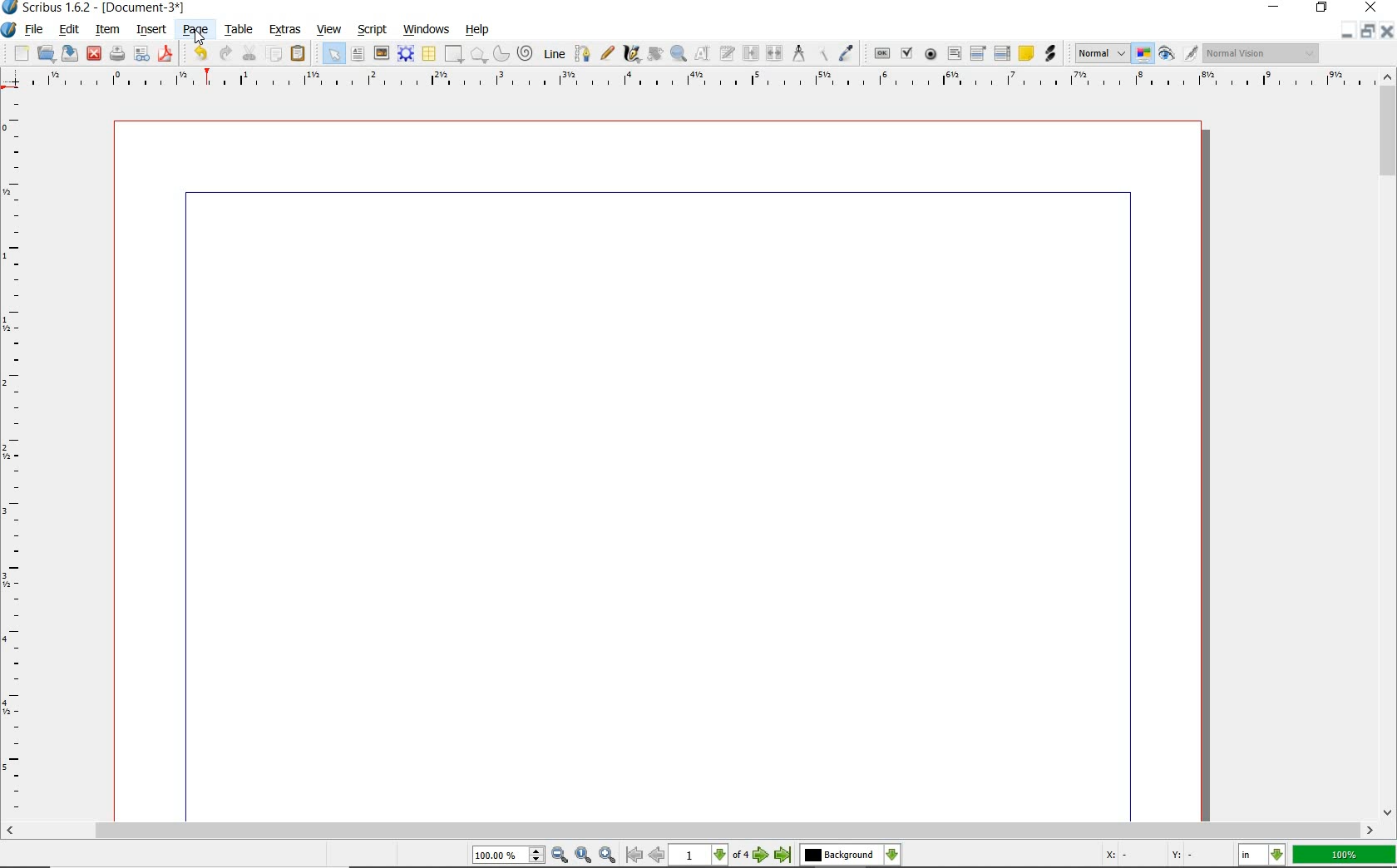  I want to click on text frame, so click(357, 55).